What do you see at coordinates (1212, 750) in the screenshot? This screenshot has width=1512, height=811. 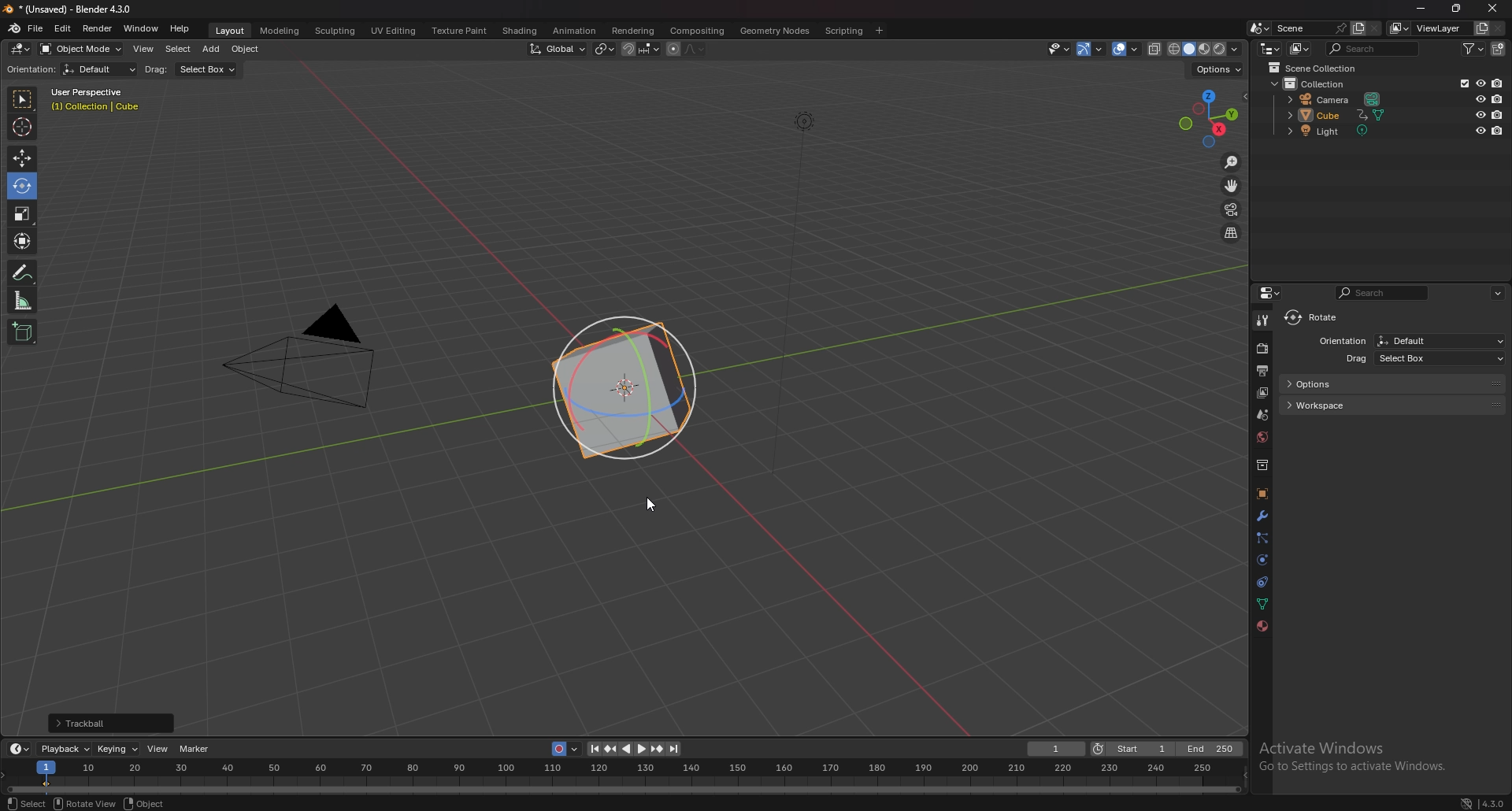 I see `end` at bounding box center [1212, 750].